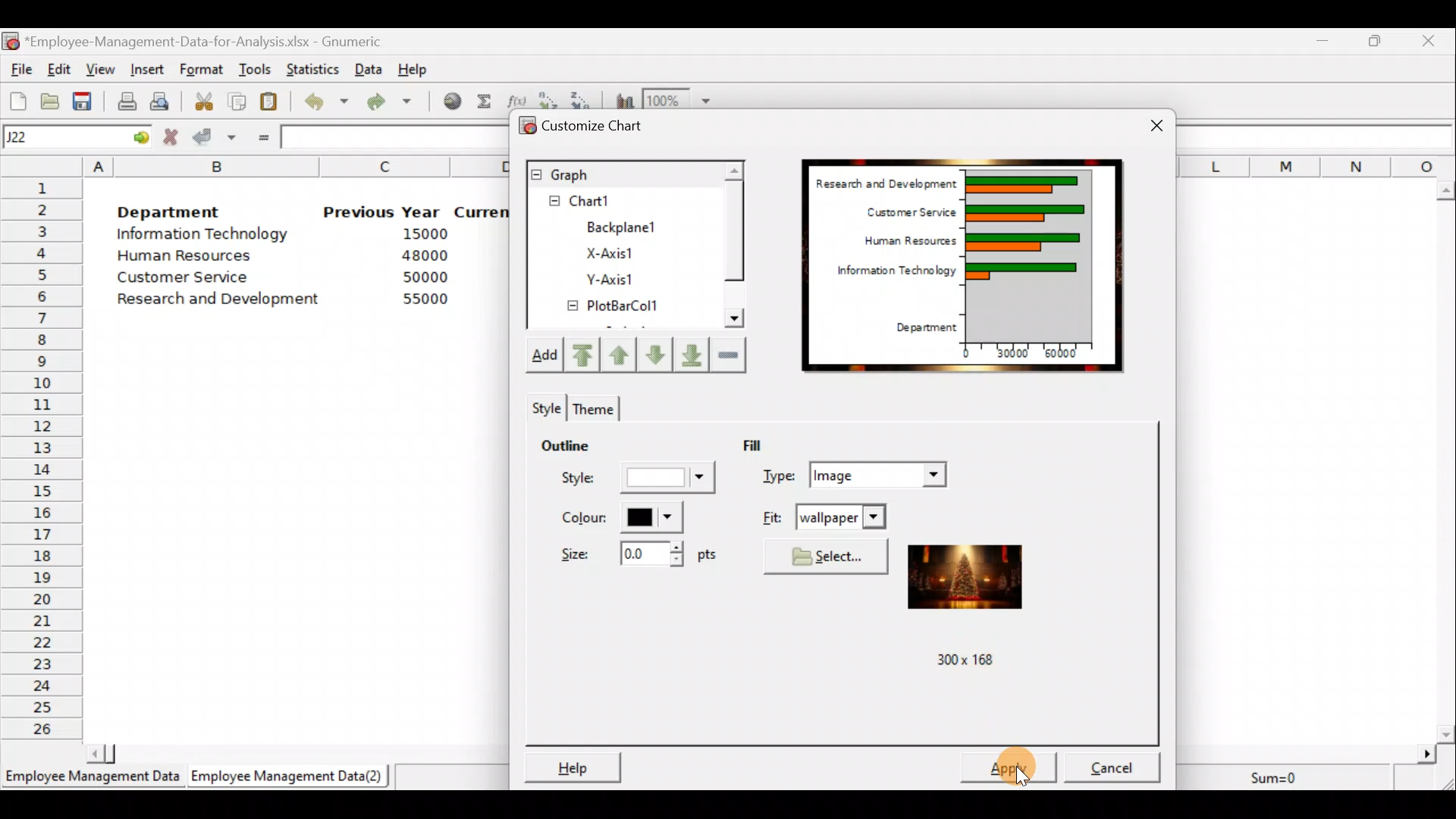 This screenshot has width=1456, height=819. Describe the element at coordinates (241, 102) in the screenshot. I see `Copy the selection` at that location.